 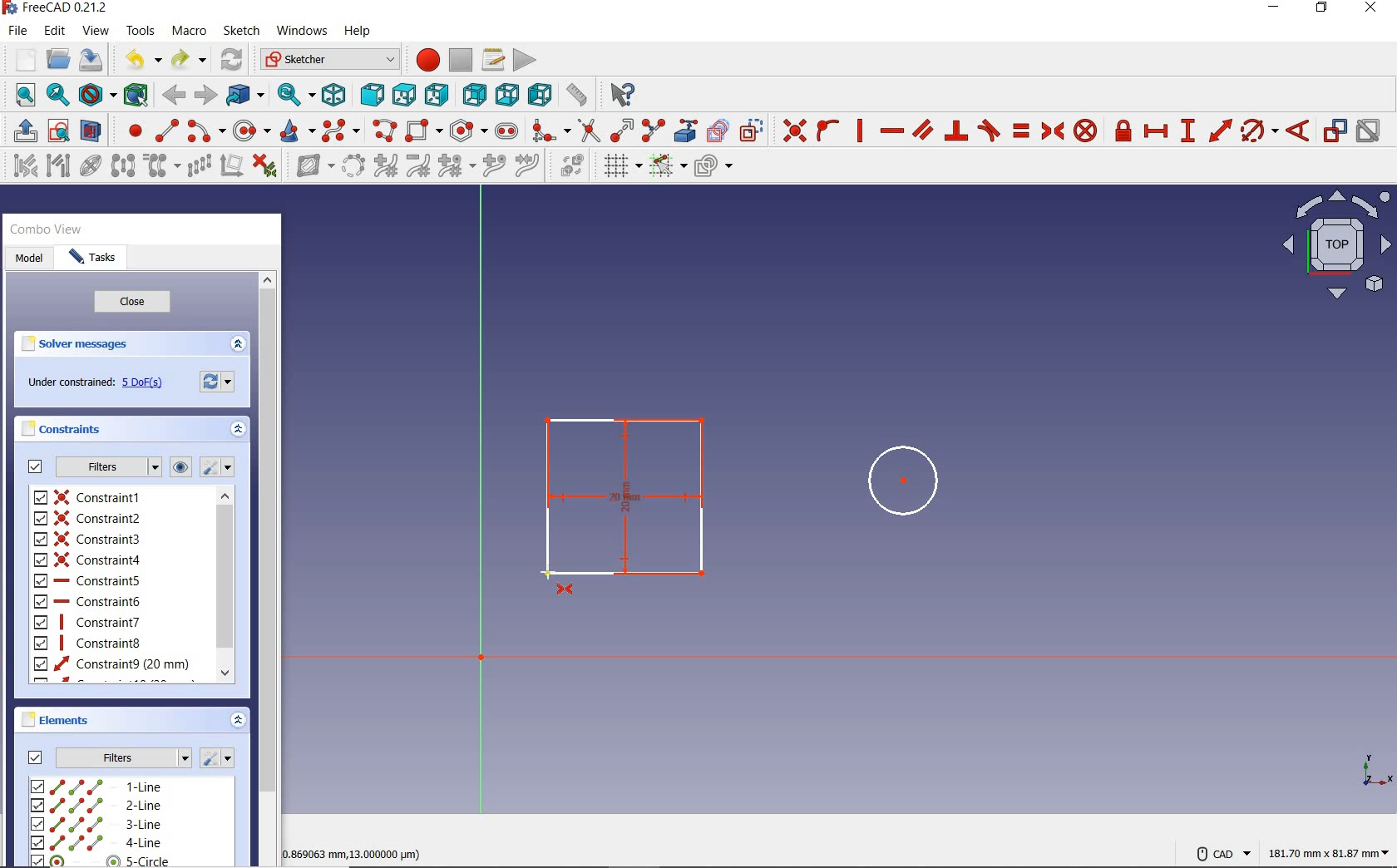 What do you see at coordinates (958, 131) in the screenshot?
I see `constrain perpendicular` at bounding box center [958, 131].